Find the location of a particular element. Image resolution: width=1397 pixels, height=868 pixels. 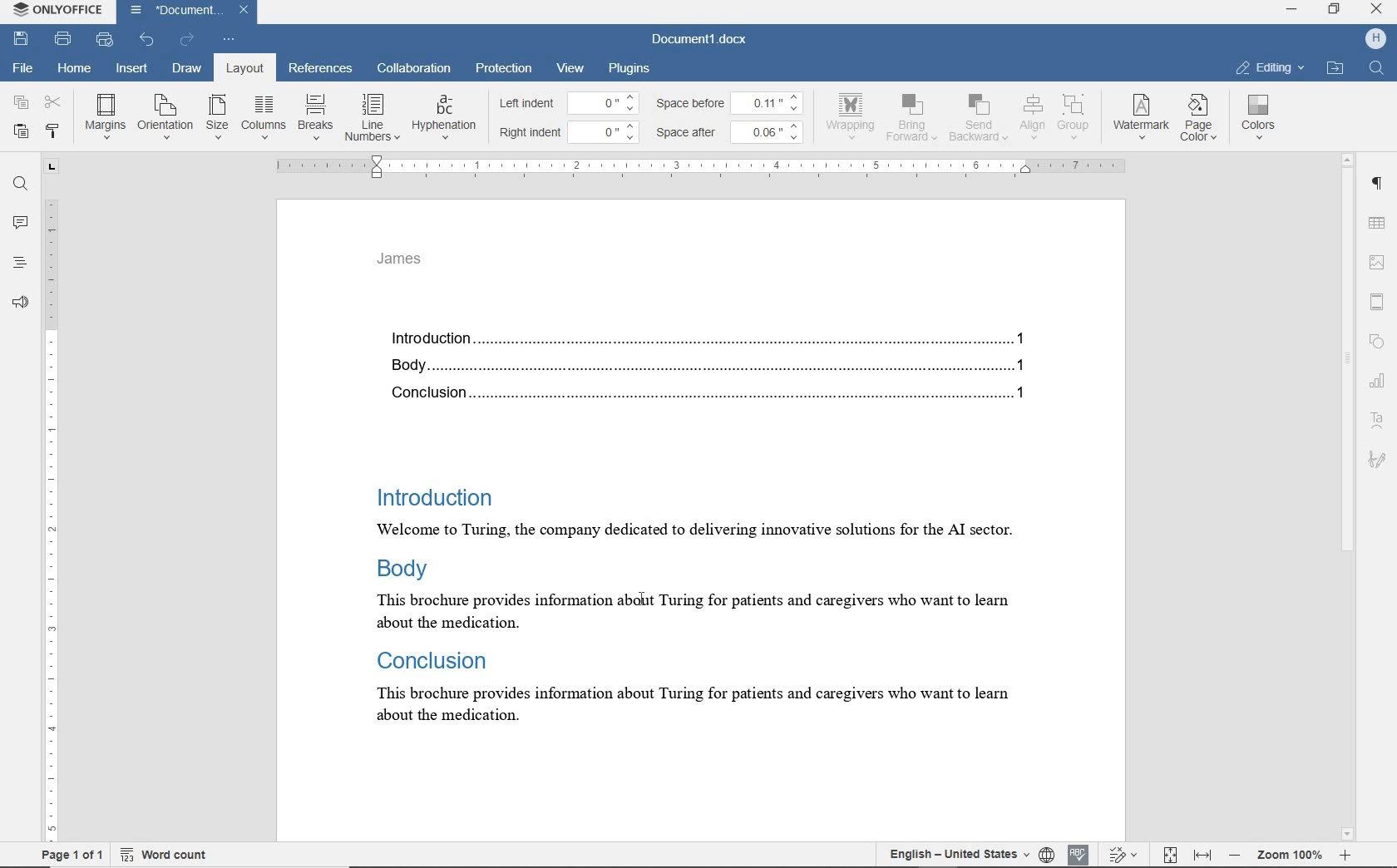

print is located at coordinates (63, 38).